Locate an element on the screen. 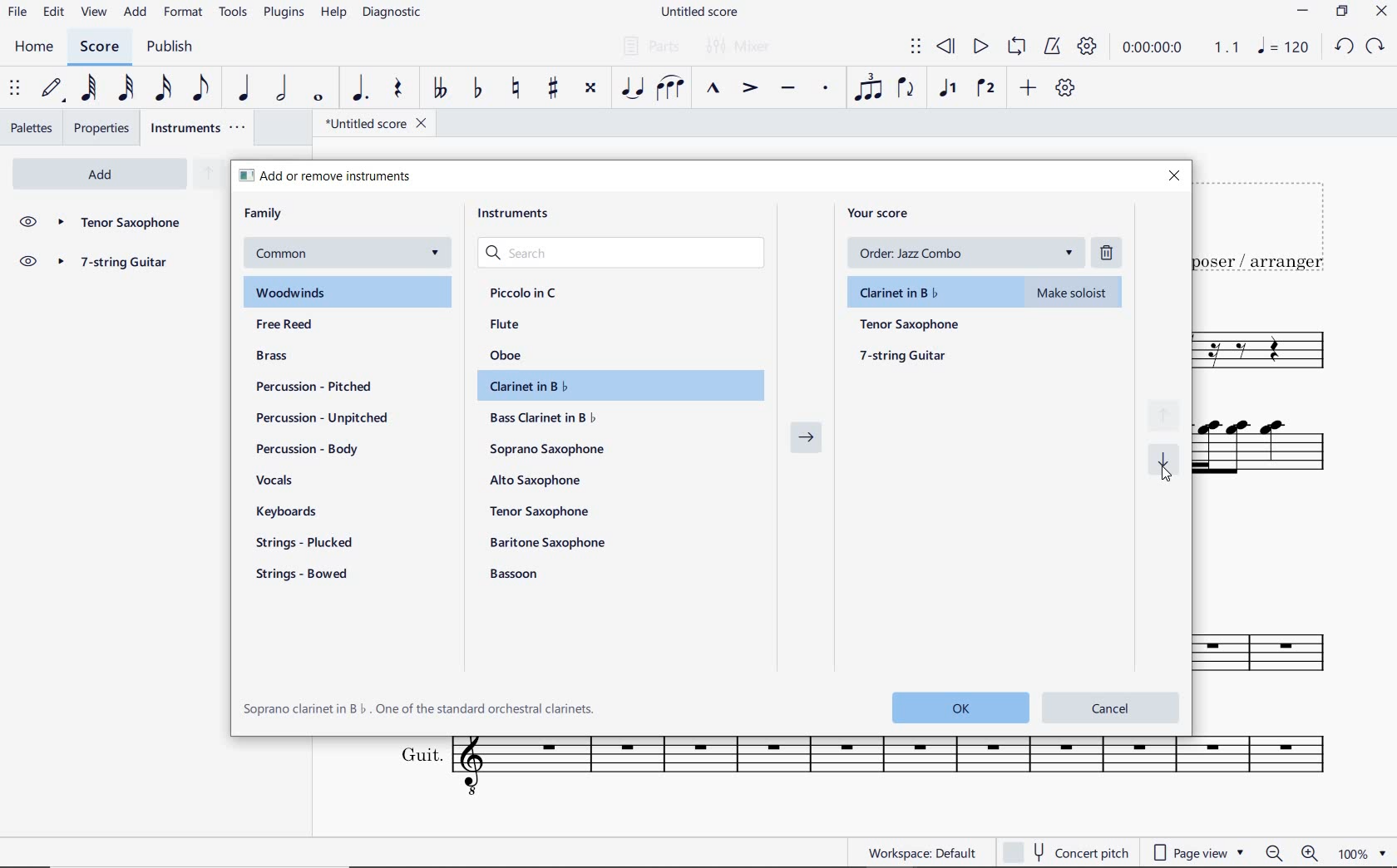 The image size is (1397, 868). CUSTOMIZE TOOLBAR is located at coordinates (1064, 88).